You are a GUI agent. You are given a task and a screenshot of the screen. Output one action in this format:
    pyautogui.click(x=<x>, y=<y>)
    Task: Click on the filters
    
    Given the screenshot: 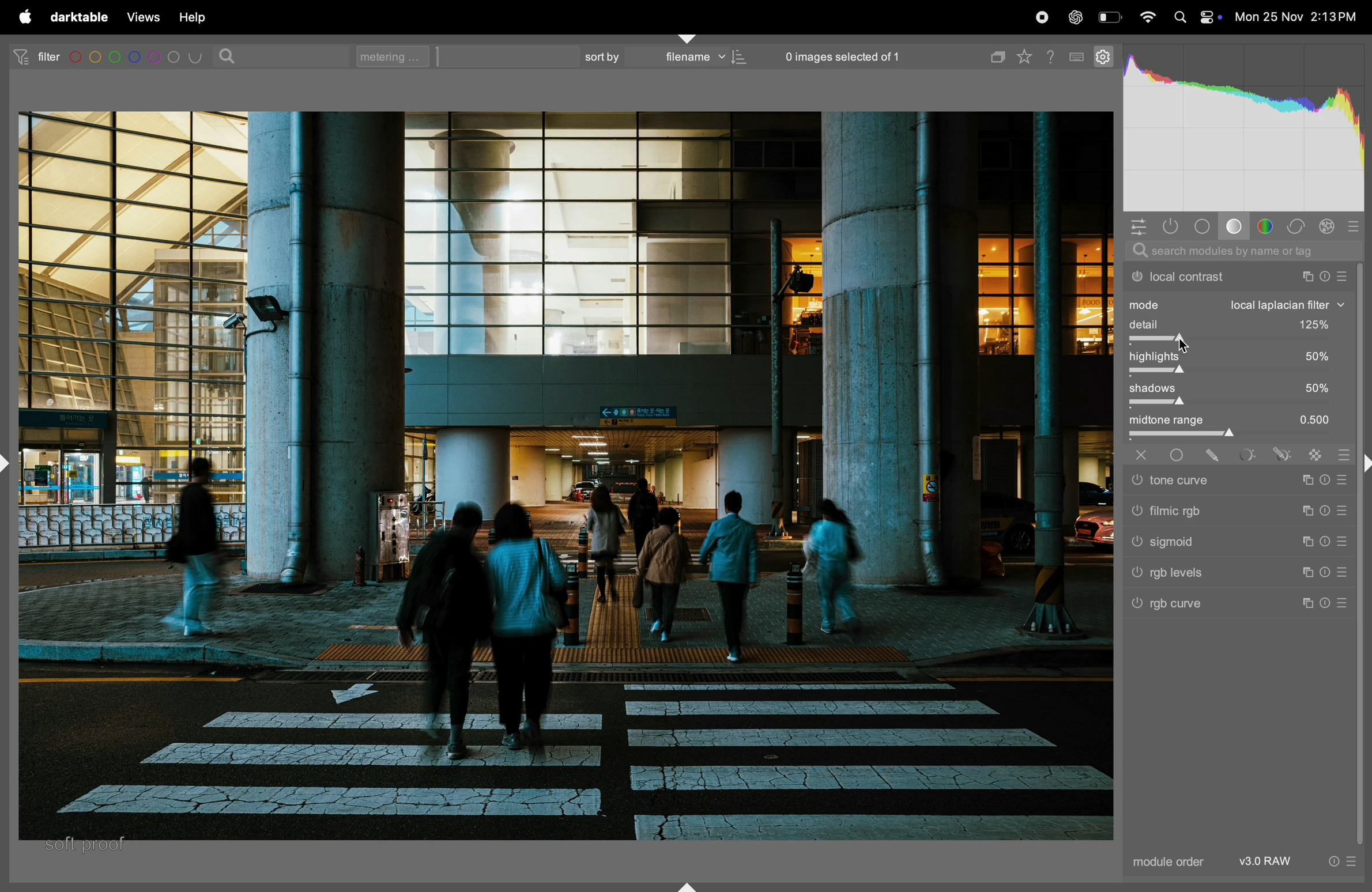 What is the action you would take?
    pyautogui.click(x=138, y=58)
    